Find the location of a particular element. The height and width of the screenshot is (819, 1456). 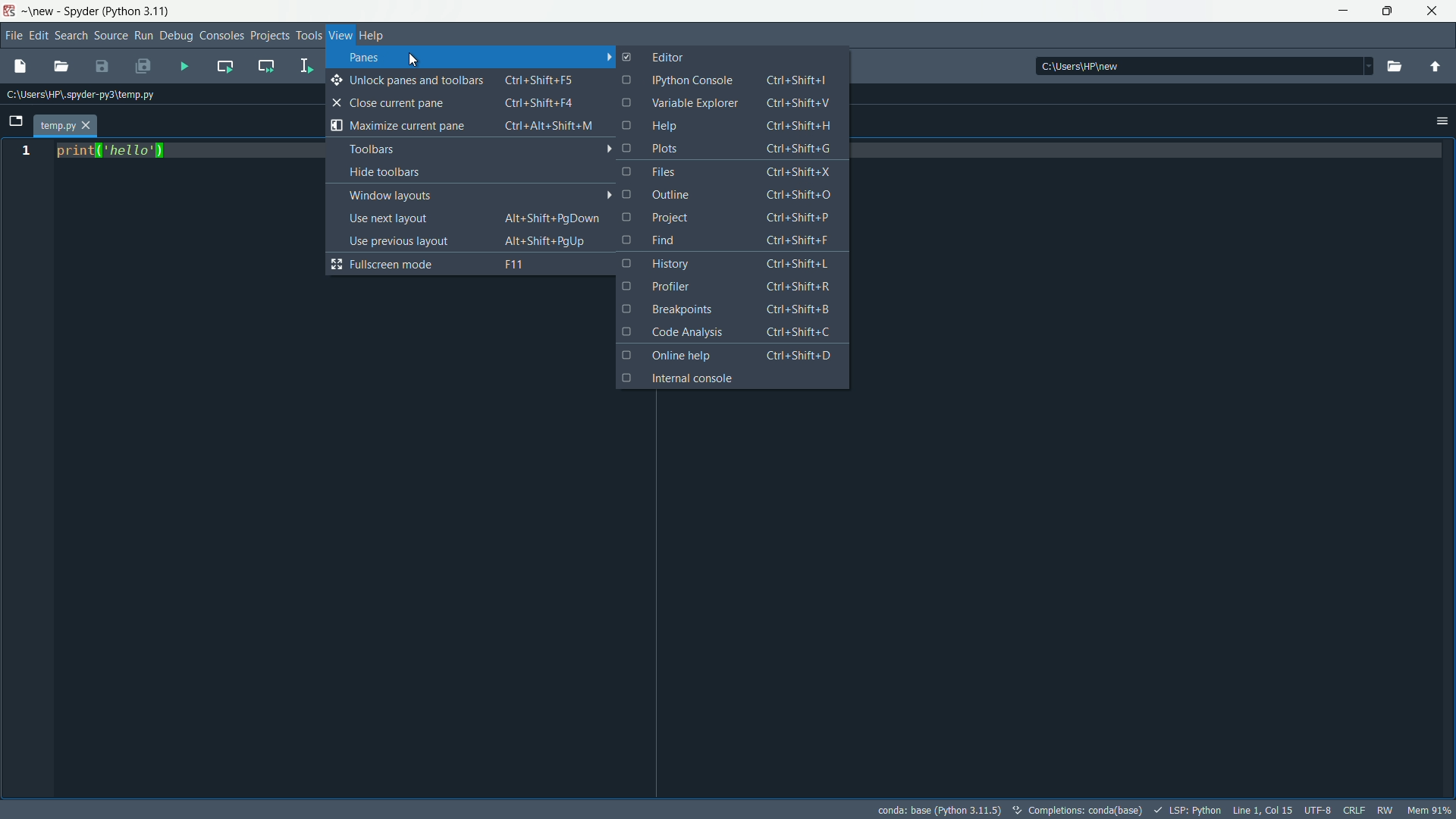

tools menu is located at coordinates (308, 35).